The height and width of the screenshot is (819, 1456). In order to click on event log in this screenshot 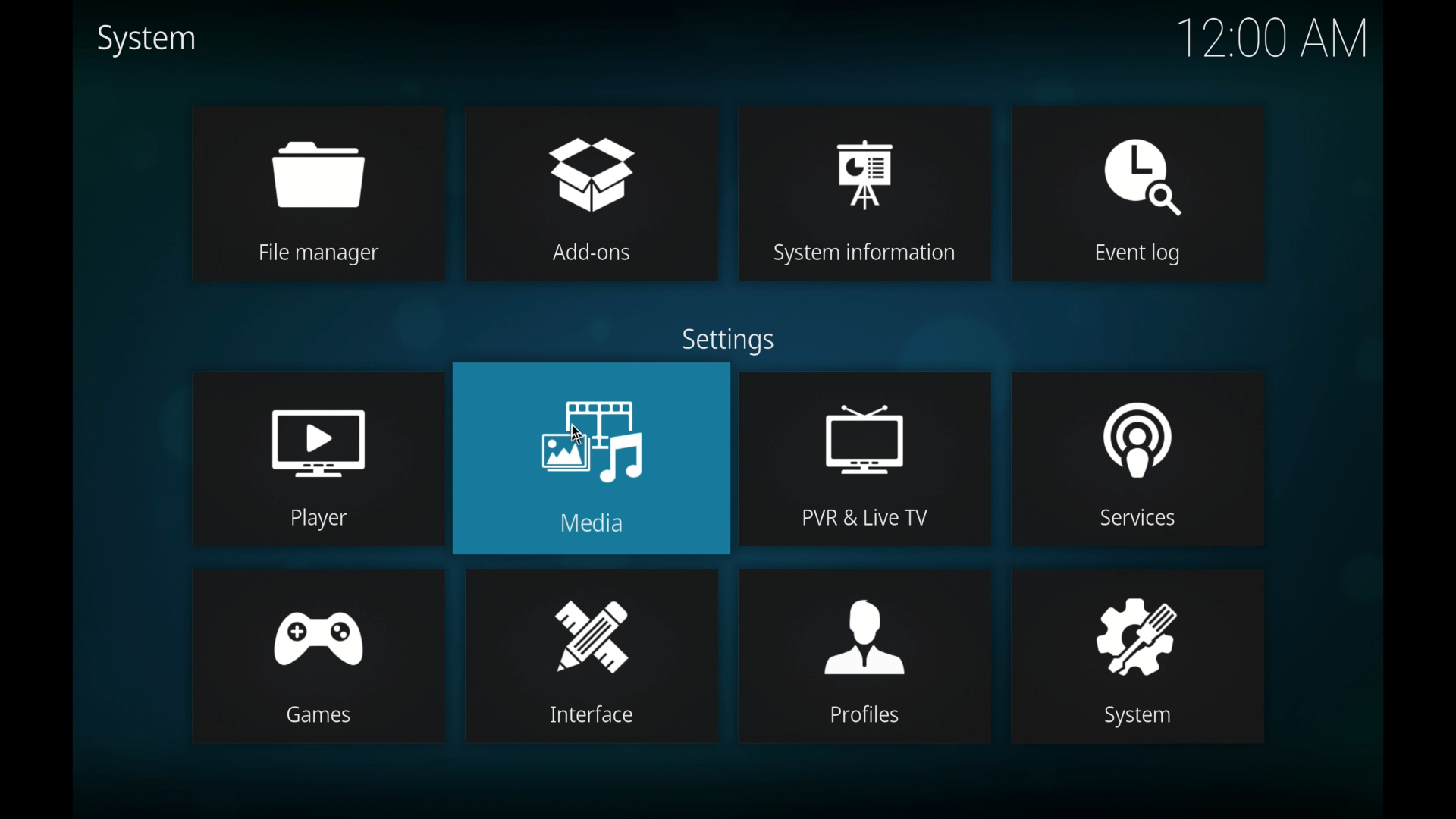, I will do `click(1136, 195)`.